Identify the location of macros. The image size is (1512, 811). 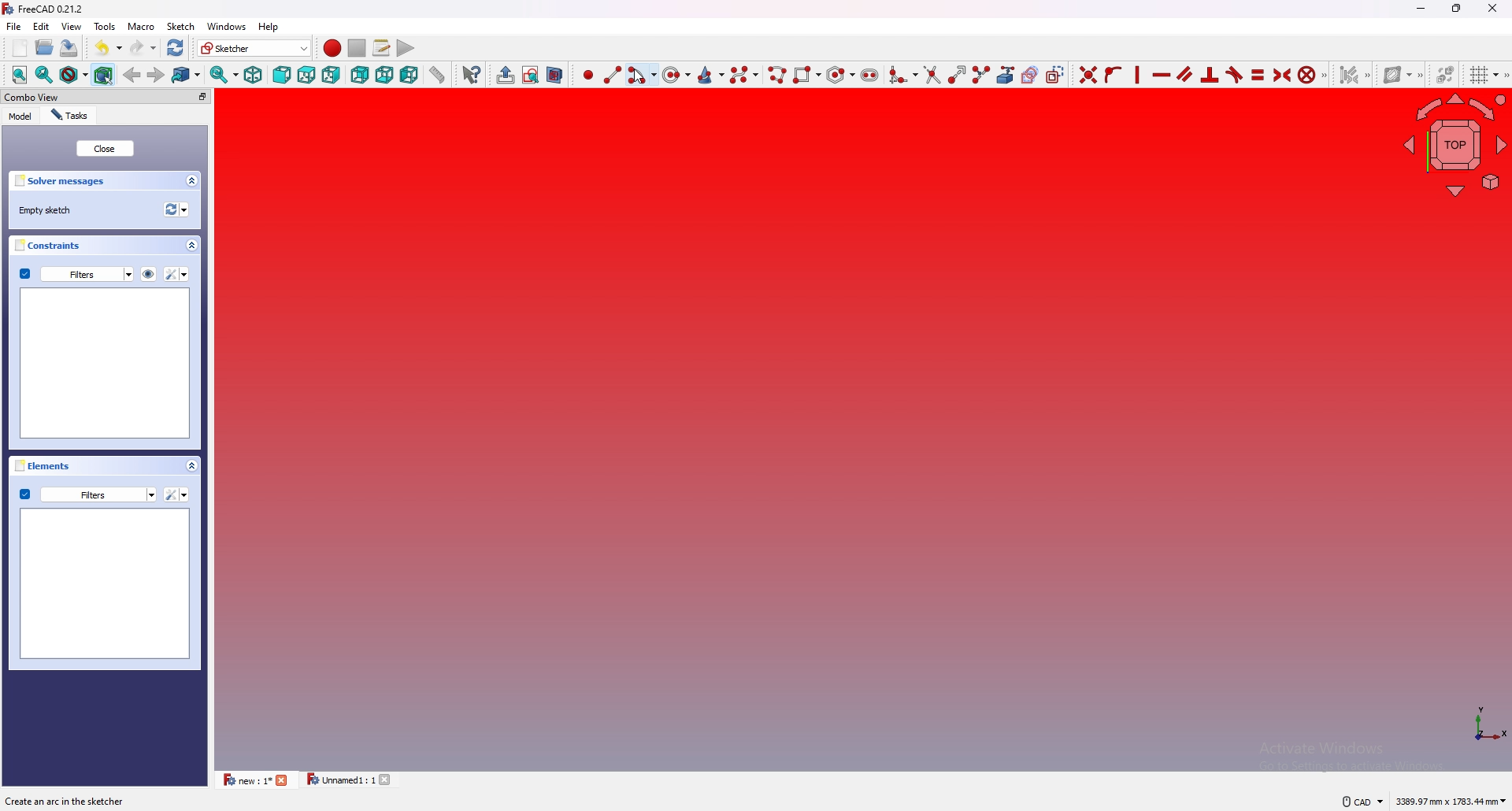
(381, 48).